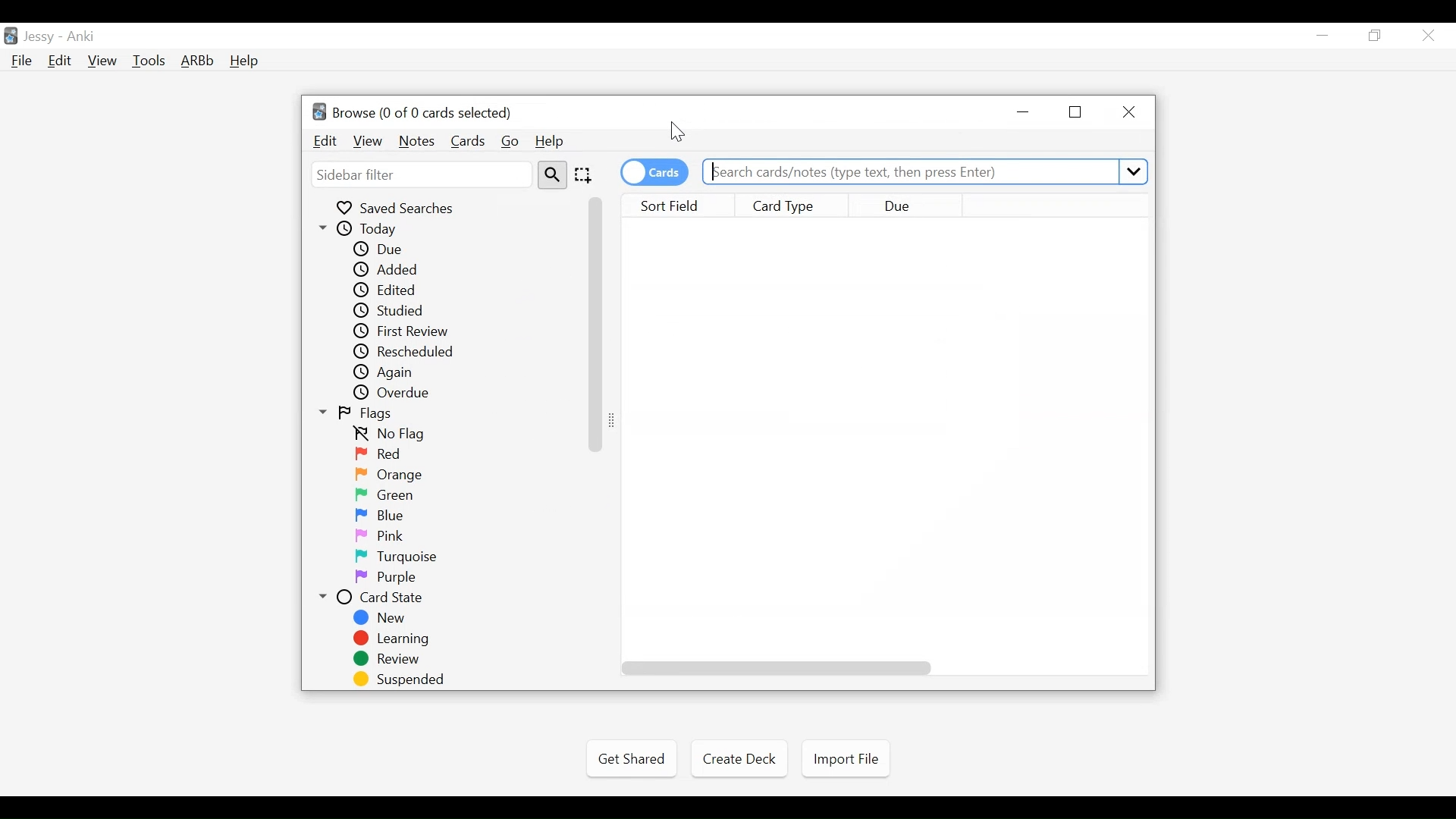  What do you see at coordinates (151, 60) in the screenshot?
I see `Tools` at bounding box center [151, 60].